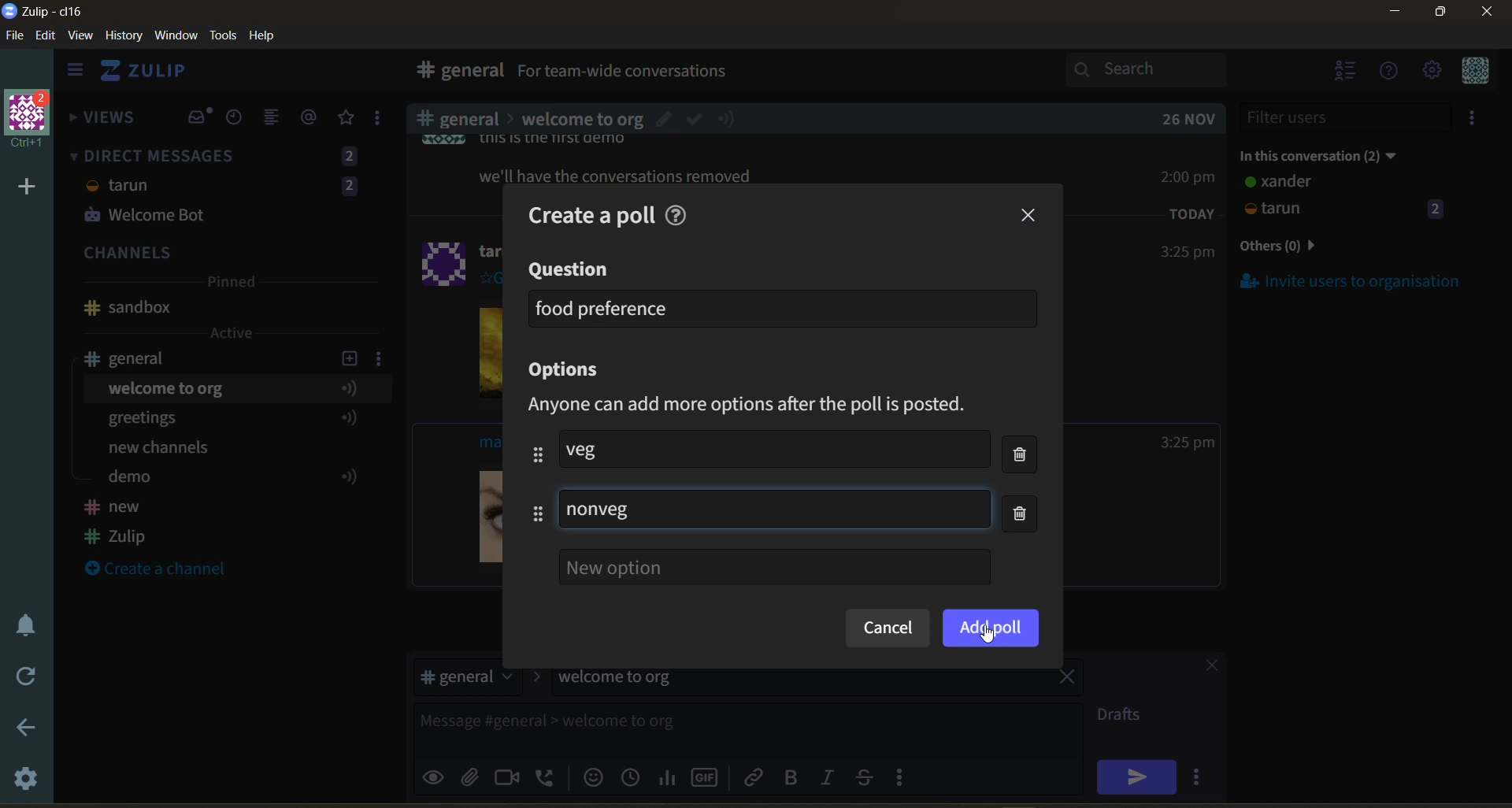 The image size is (1512, 808). I want to click on Overview of your conversations with unread messages, so click(696, 73).